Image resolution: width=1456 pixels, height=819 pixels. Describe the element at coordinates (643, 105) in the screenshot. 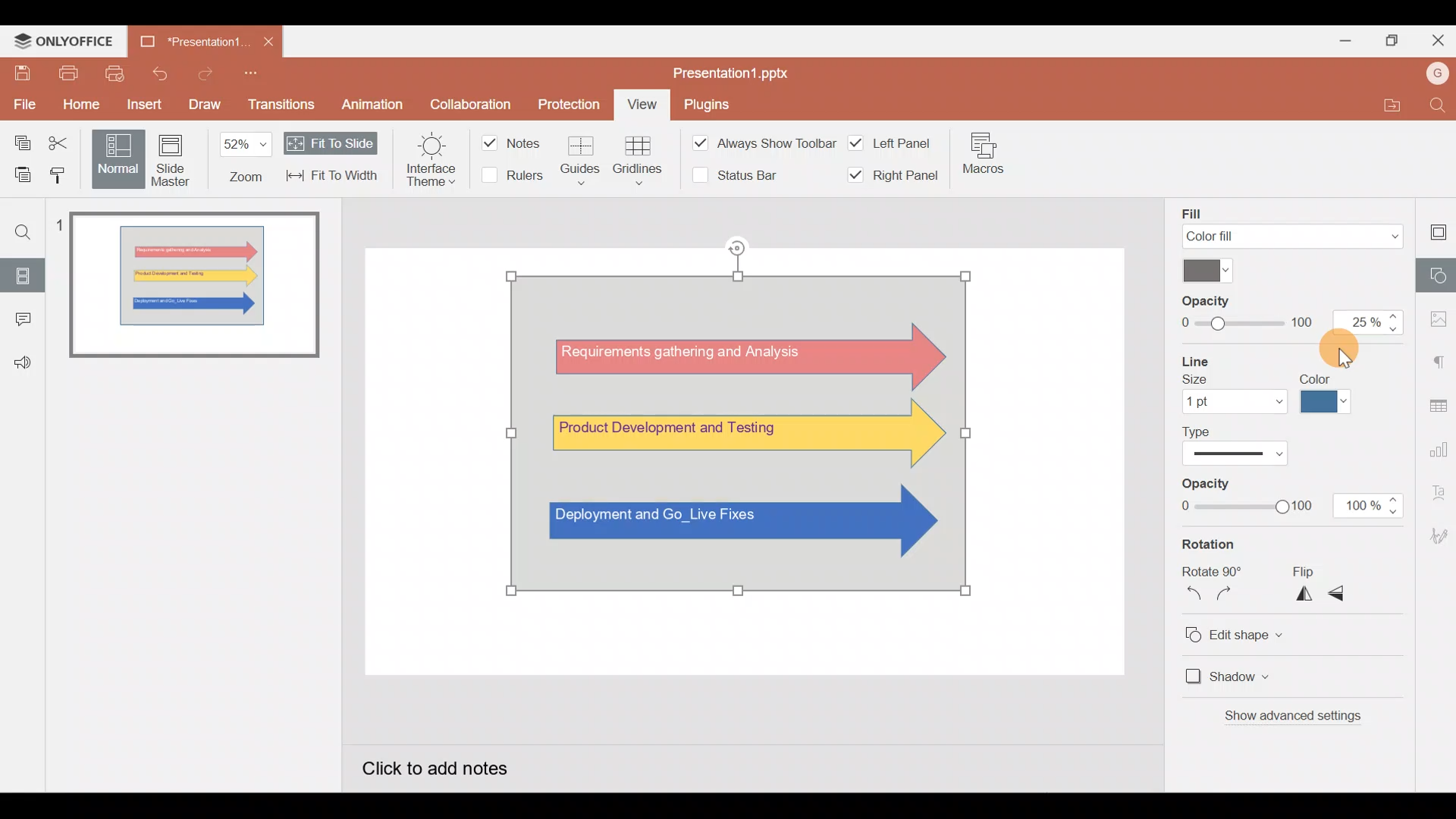

I see `View` at that location.